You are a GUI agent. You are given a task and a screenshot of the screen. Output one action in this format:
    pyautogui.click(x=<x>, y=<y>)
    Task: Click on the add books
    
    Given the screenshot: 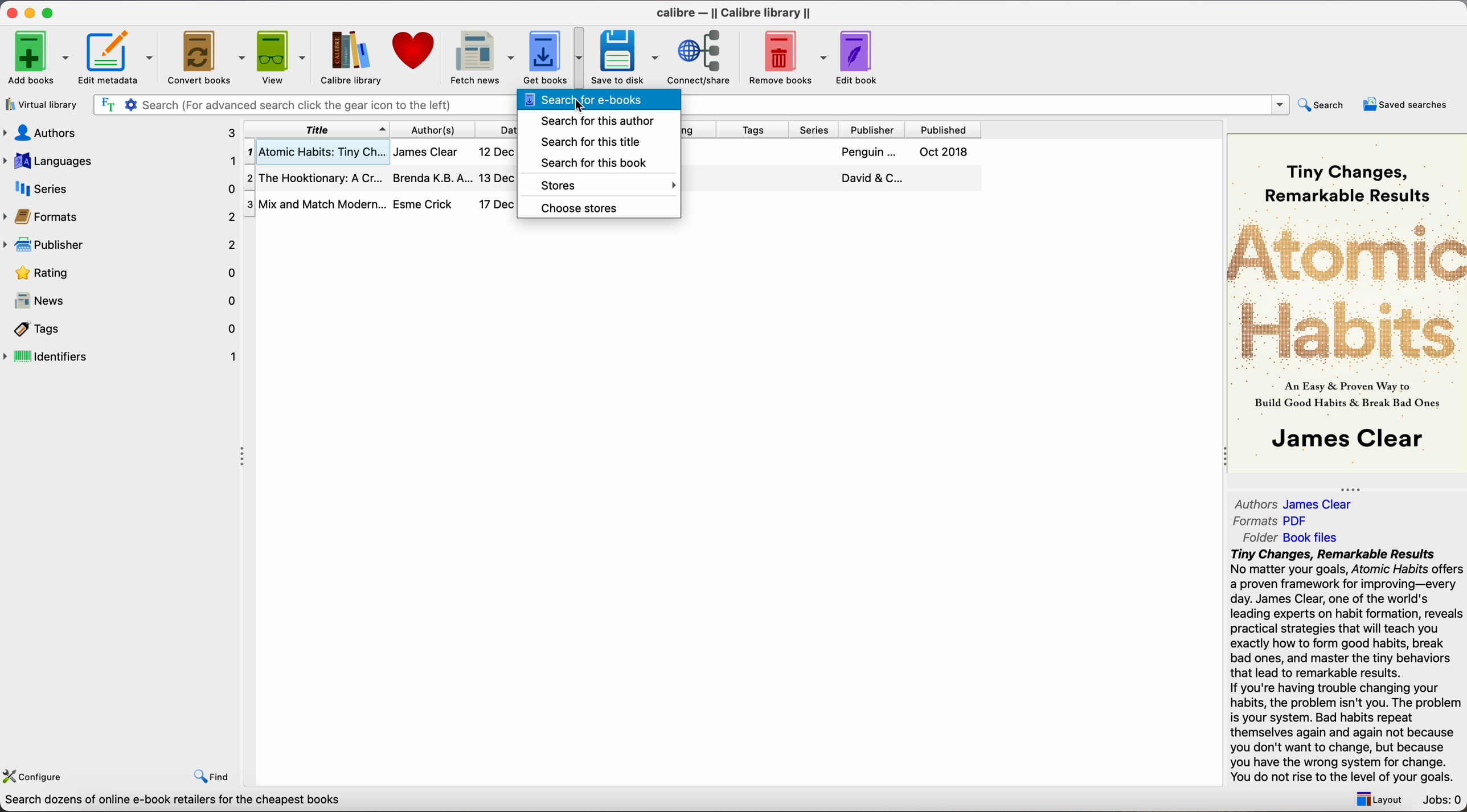 What is the action you would take?
    pyautogui.click(x=38, y=59)
    